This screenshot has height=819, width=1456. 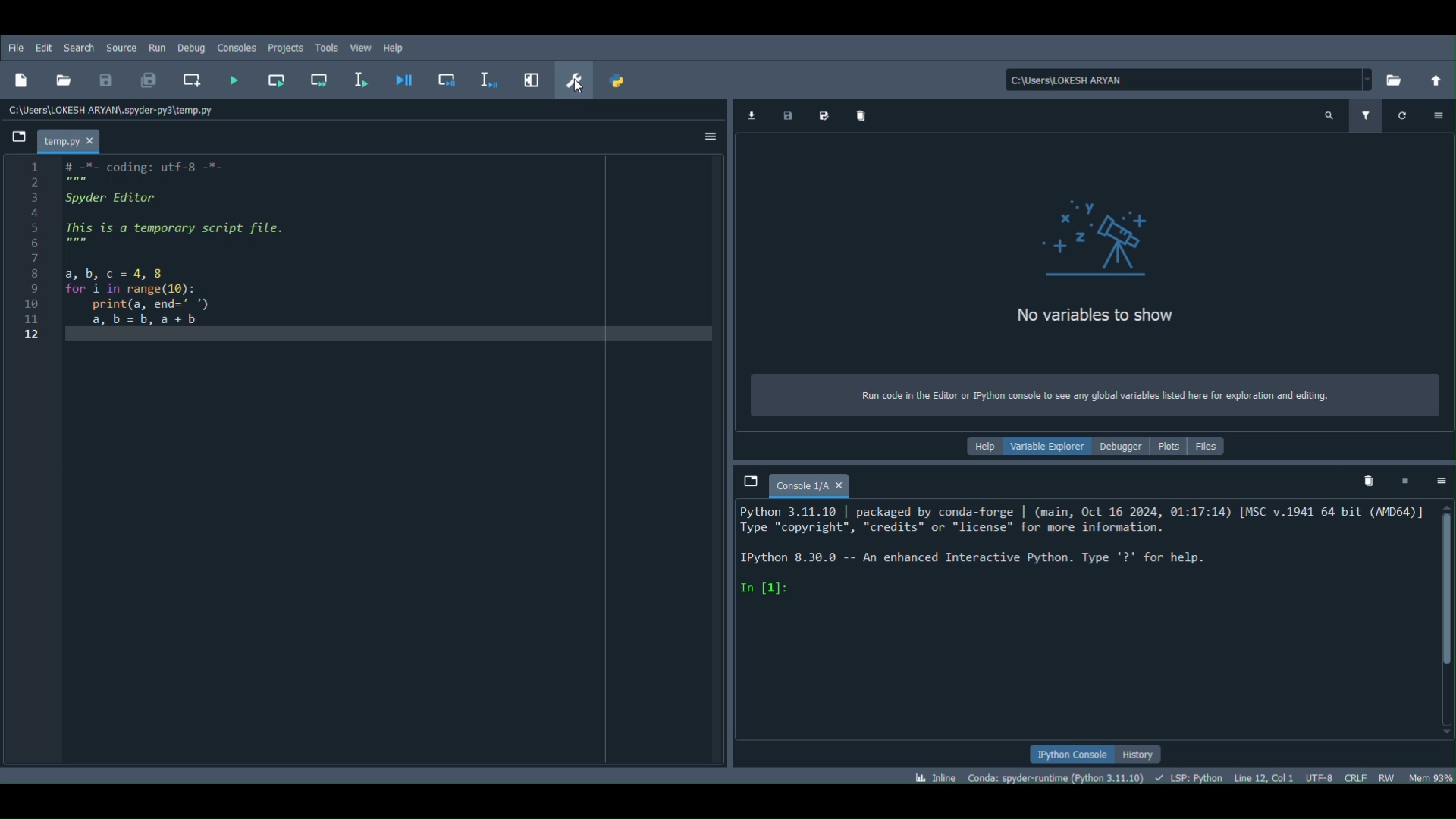 What do you see at coordinates (192, 77) in the screenshot?
I see `Create new cell at the current line (Ctrl + 2)` at bounding box center [192, 77].